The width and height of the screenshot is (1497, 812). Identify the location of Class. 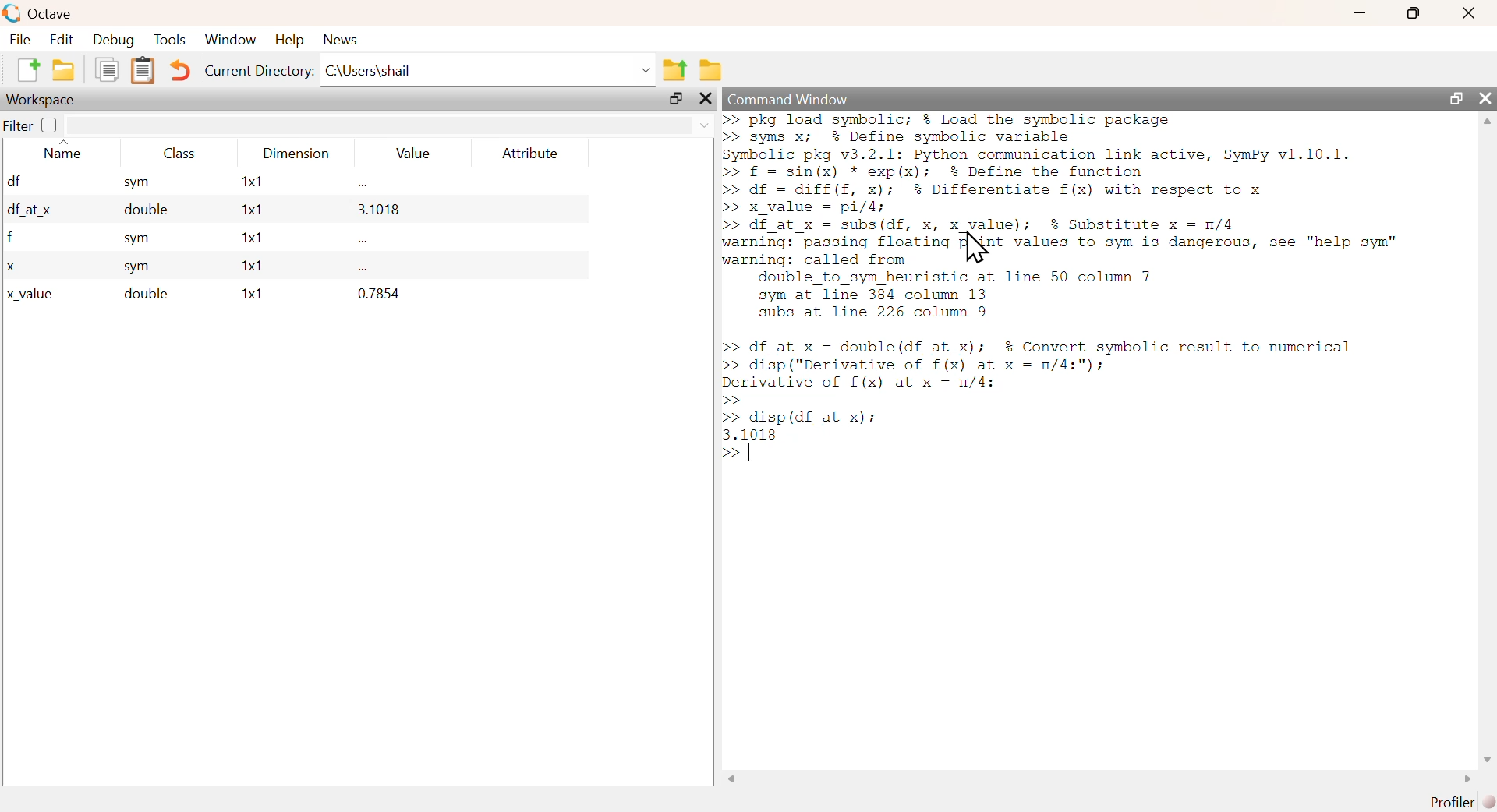
(176, 152).